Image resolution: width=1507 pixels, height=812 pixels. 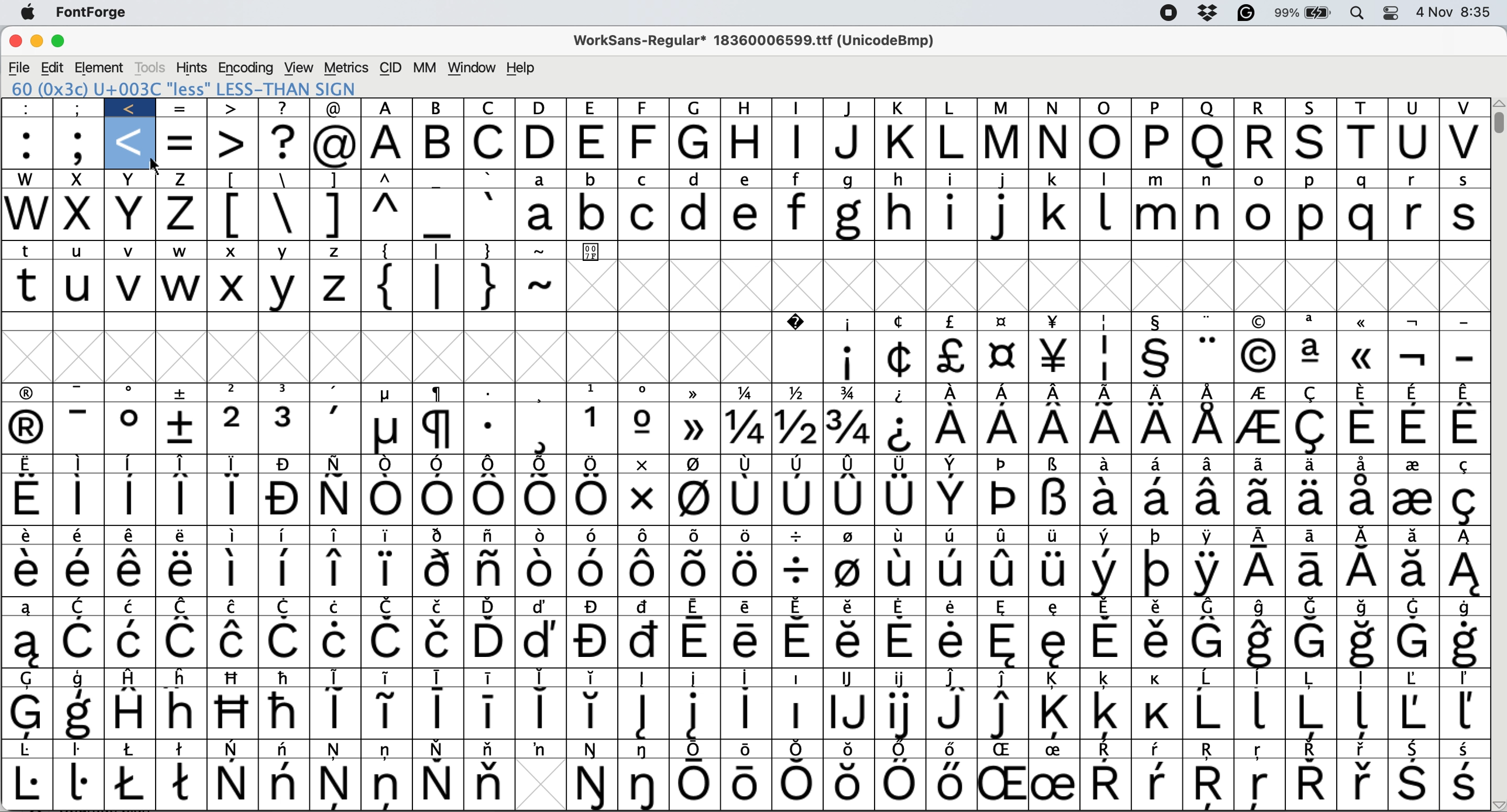 I want to click on Symbol, so click(x=29, y=679).